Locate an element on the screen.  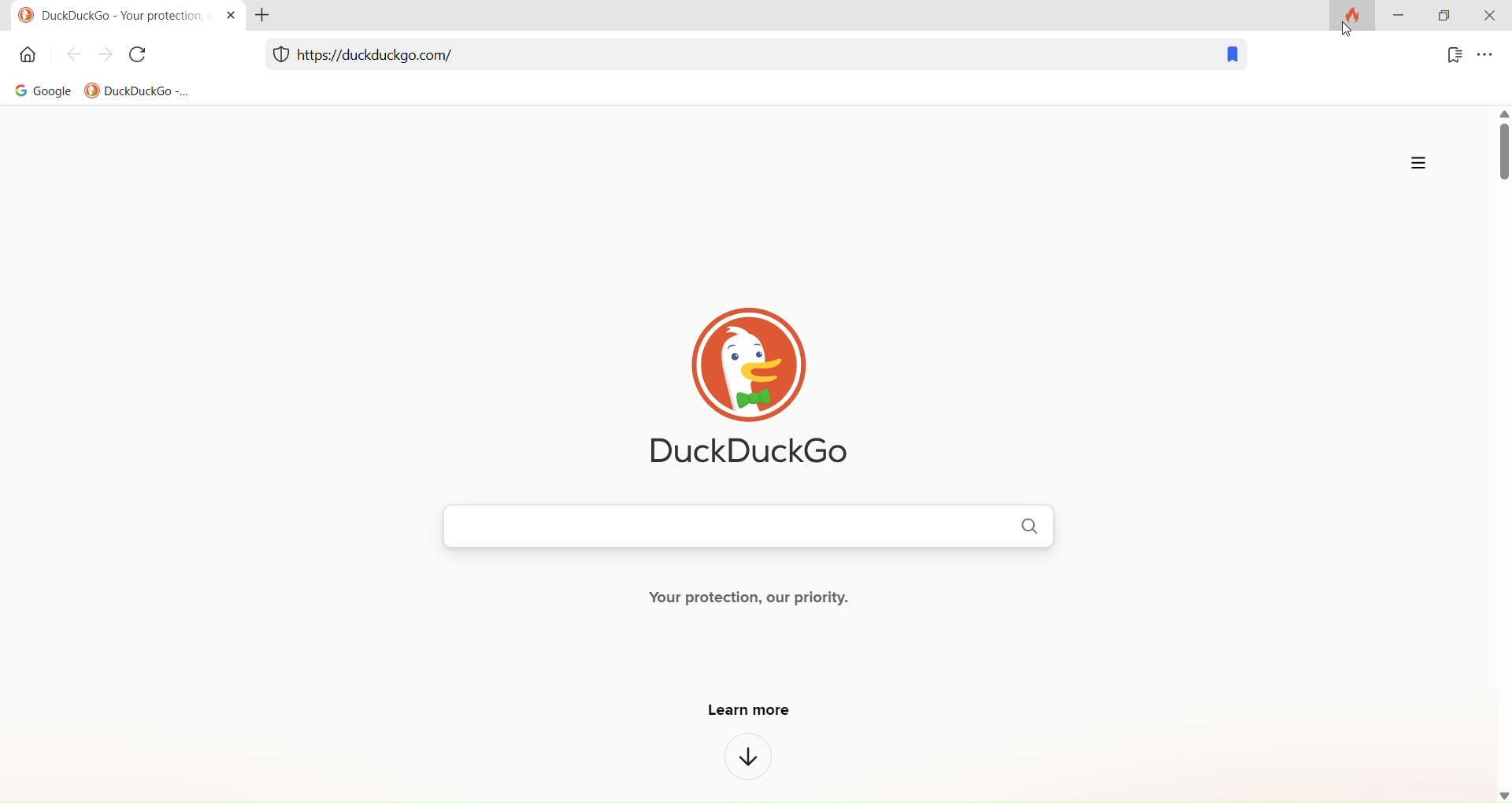
protection menu is located at coordinates (276, 57).